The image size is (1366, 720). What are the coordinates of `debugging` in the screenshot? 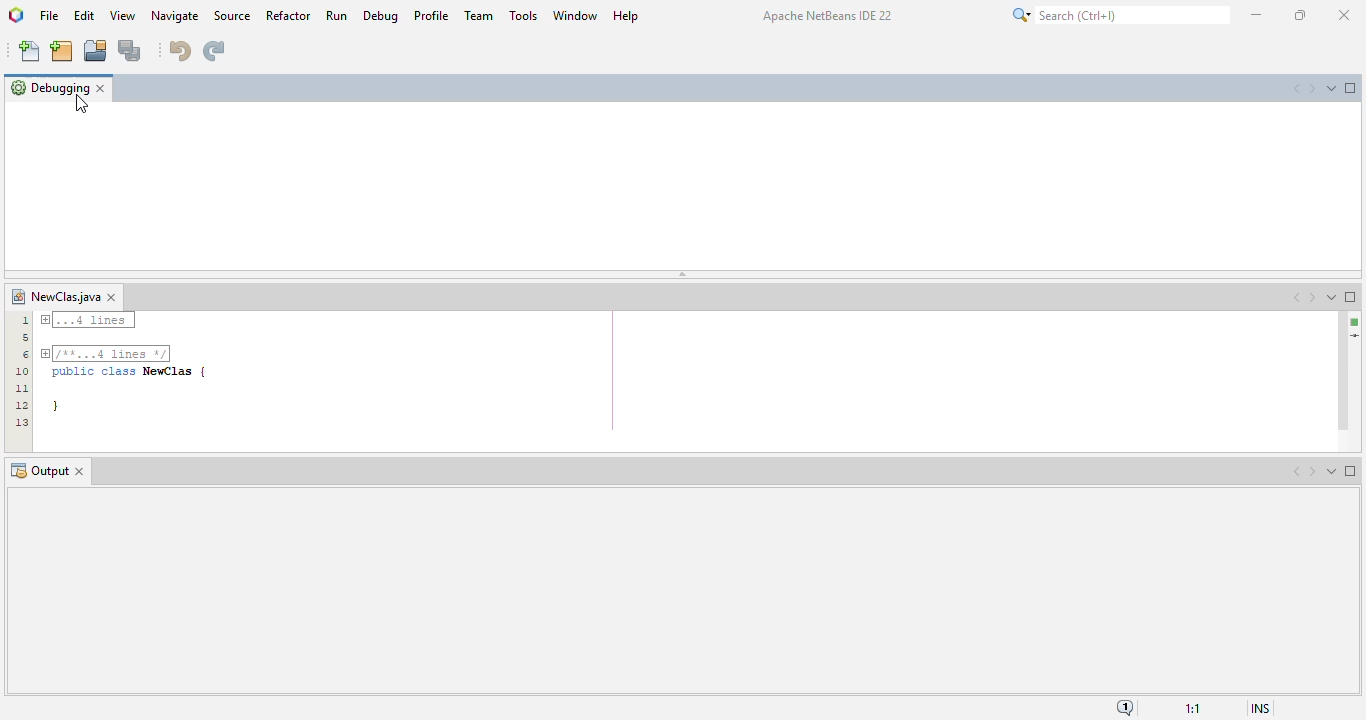 It's located at (49, 87).